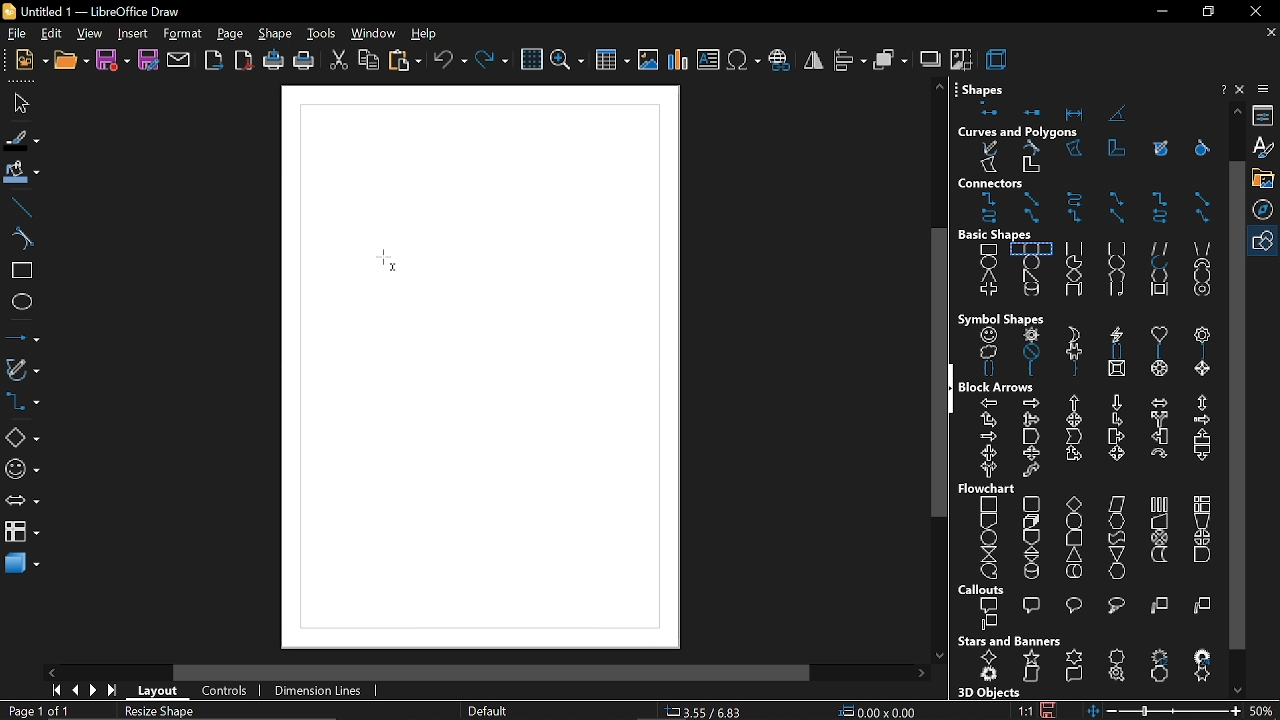  What do you see at coordinates (215, 62) in the screenshot?
I see `export` at bounding box center [215, 62].